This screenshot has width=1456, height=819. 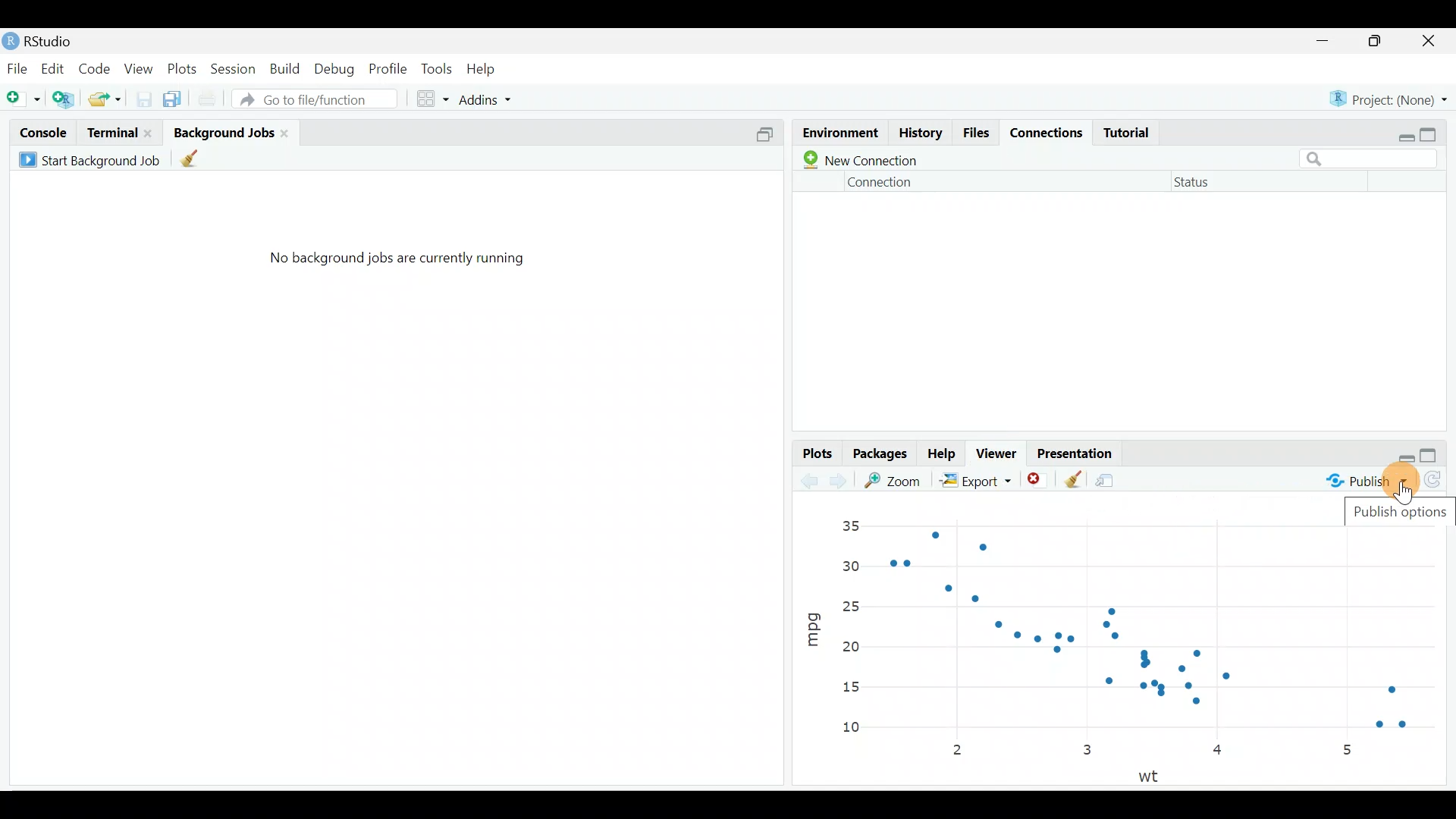 What do you see at coordinates (1407, 457) in the screenshot?
I see `Restore down` at bounding box center [1407, 457].